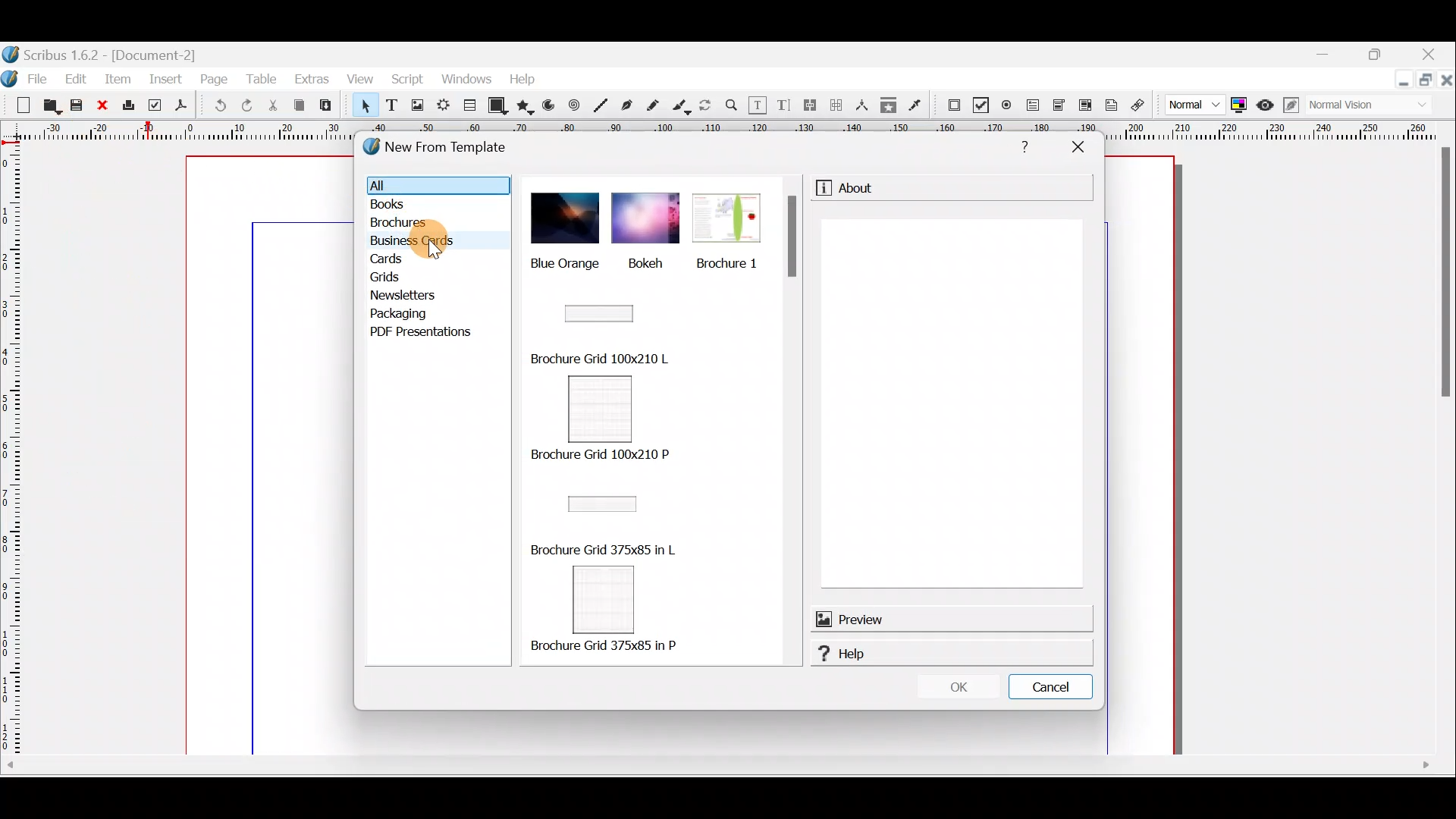 The image size is (1456, 819). I want to click on Edit text with story editor, so click(784, 104).